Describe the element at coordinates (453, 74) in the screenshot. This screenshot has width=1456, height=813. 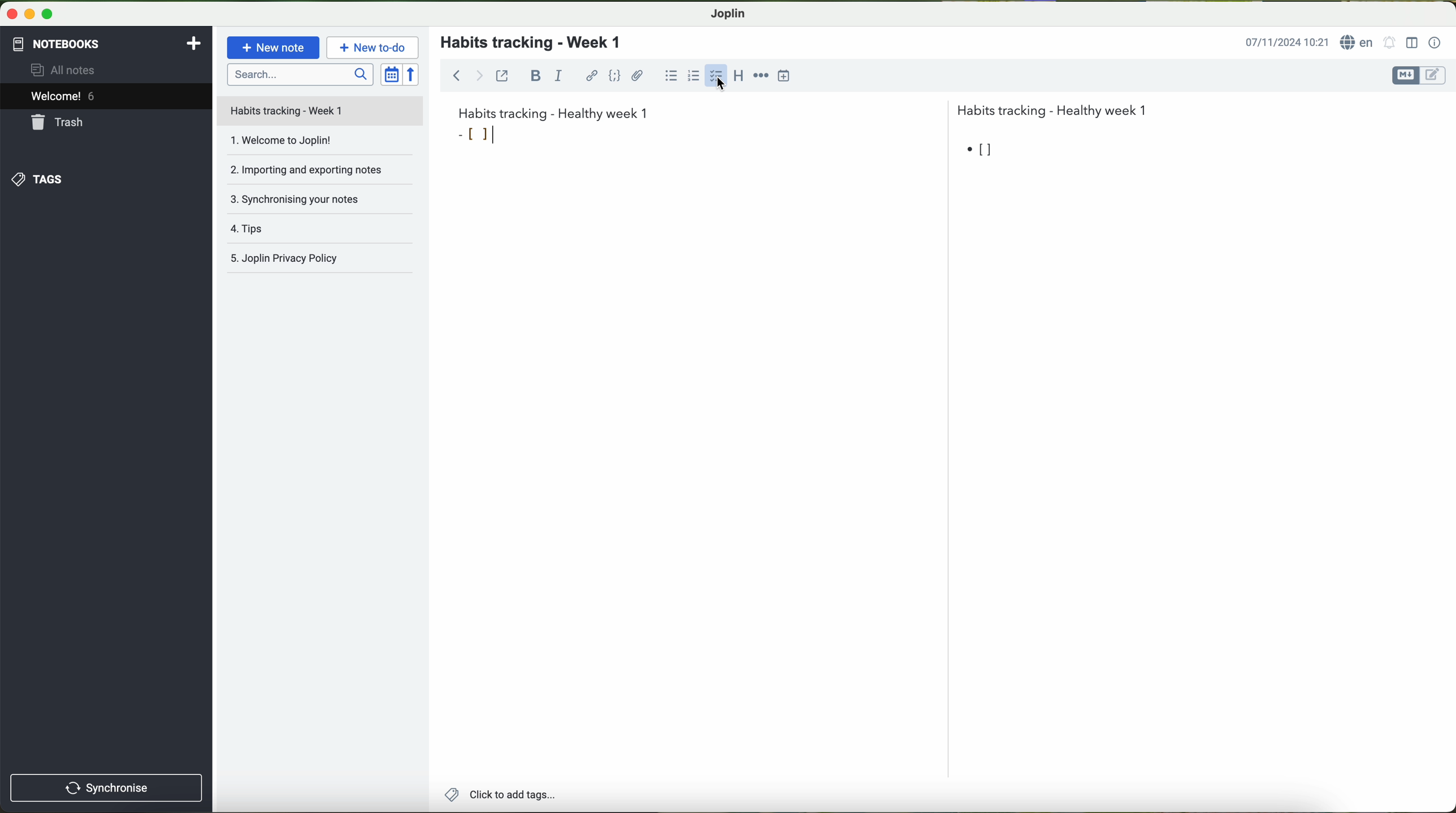
I see `back` at that location.